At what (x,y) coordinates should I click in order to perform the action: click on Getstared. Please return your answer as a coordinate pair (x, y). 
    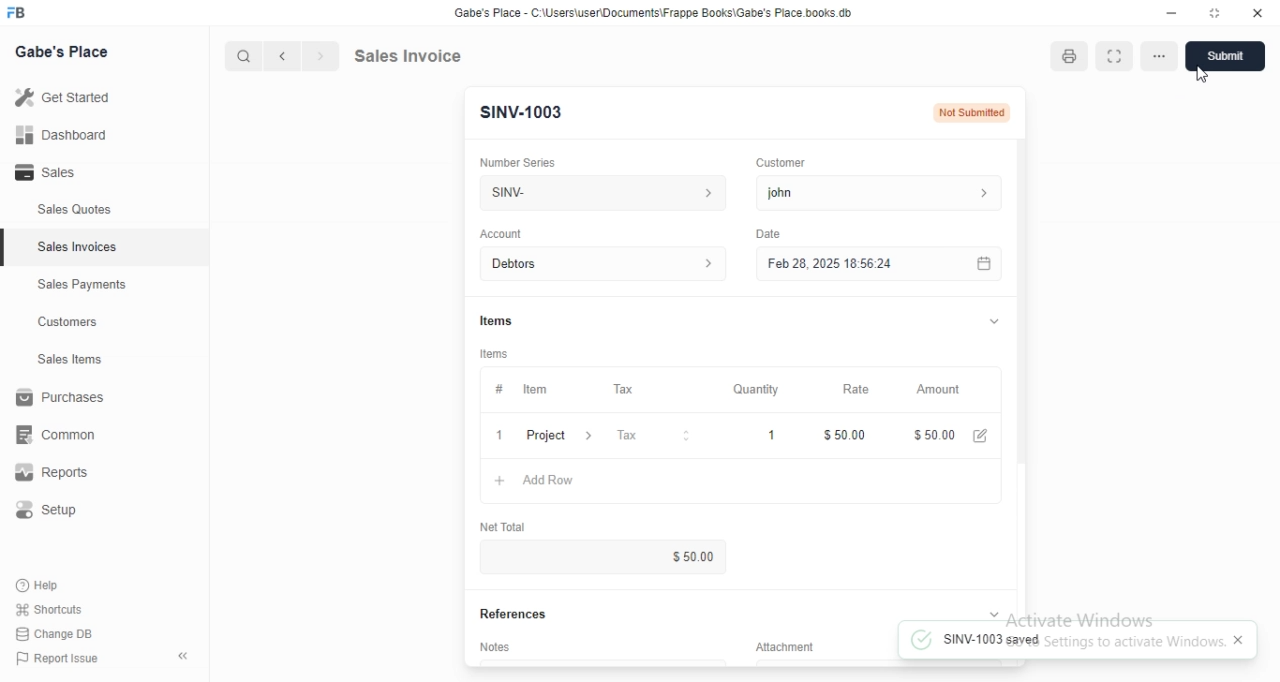
    Looking at the image, I should click on (68, 99).